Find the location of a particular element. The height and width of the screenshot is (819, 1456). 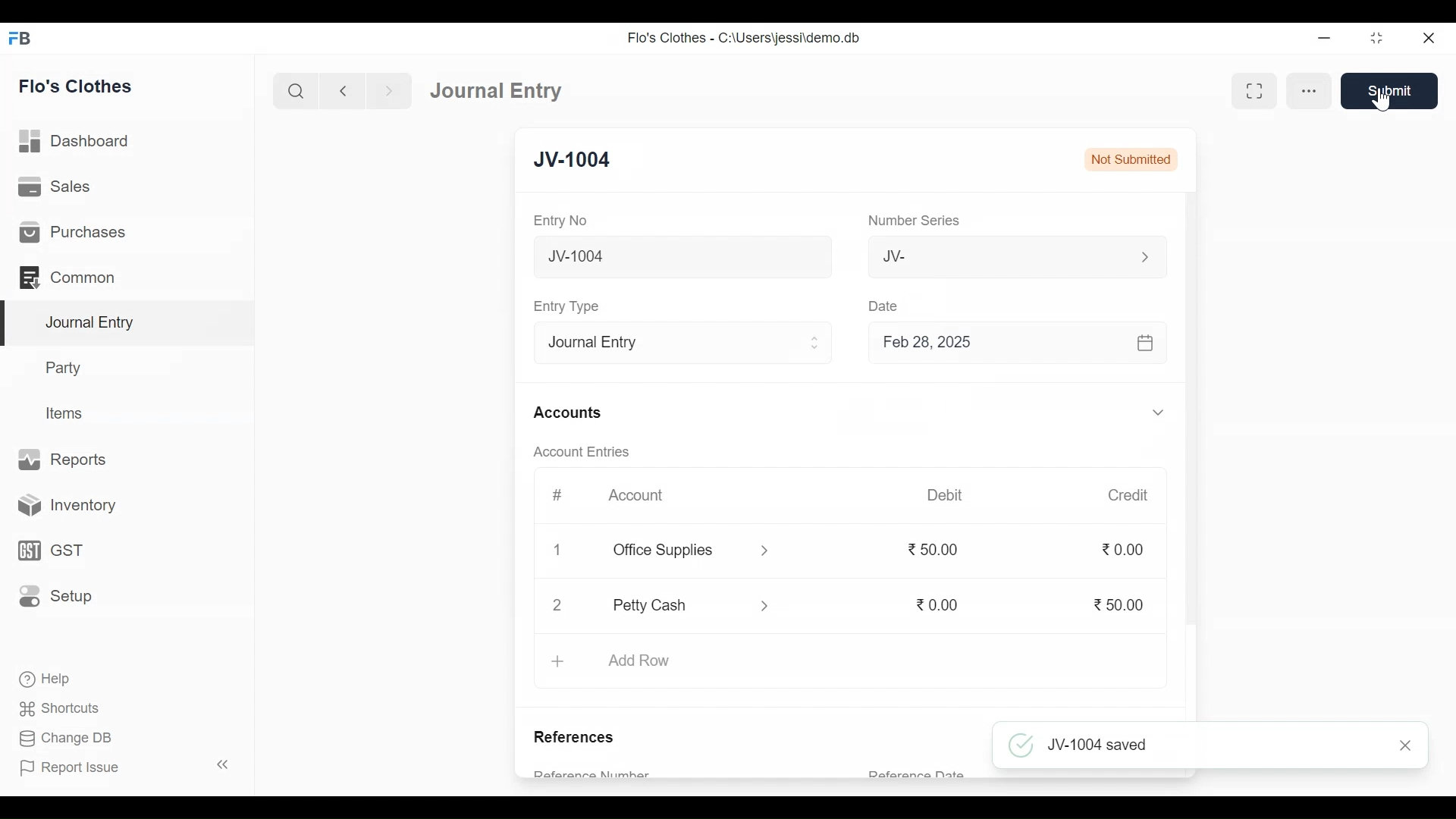

Entry Type is located at coordinates (670, 344).